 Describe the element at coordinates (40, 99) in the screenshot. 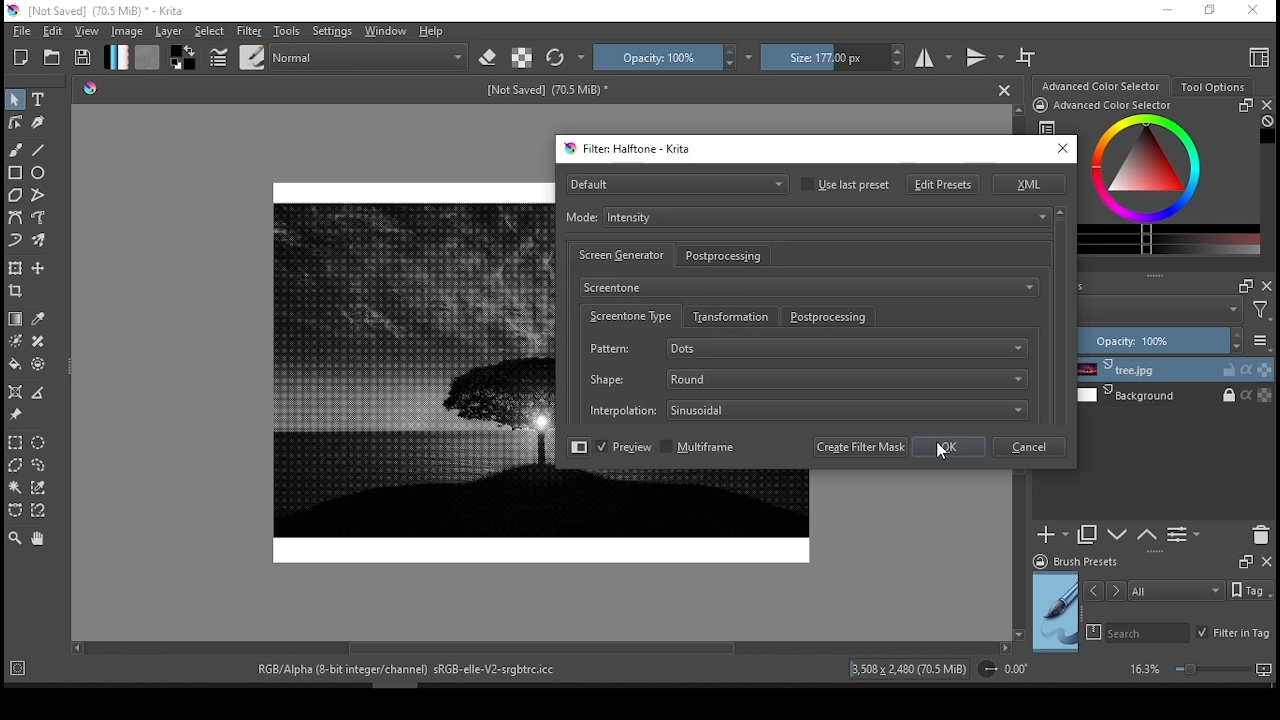

I see `text tool` at that location.